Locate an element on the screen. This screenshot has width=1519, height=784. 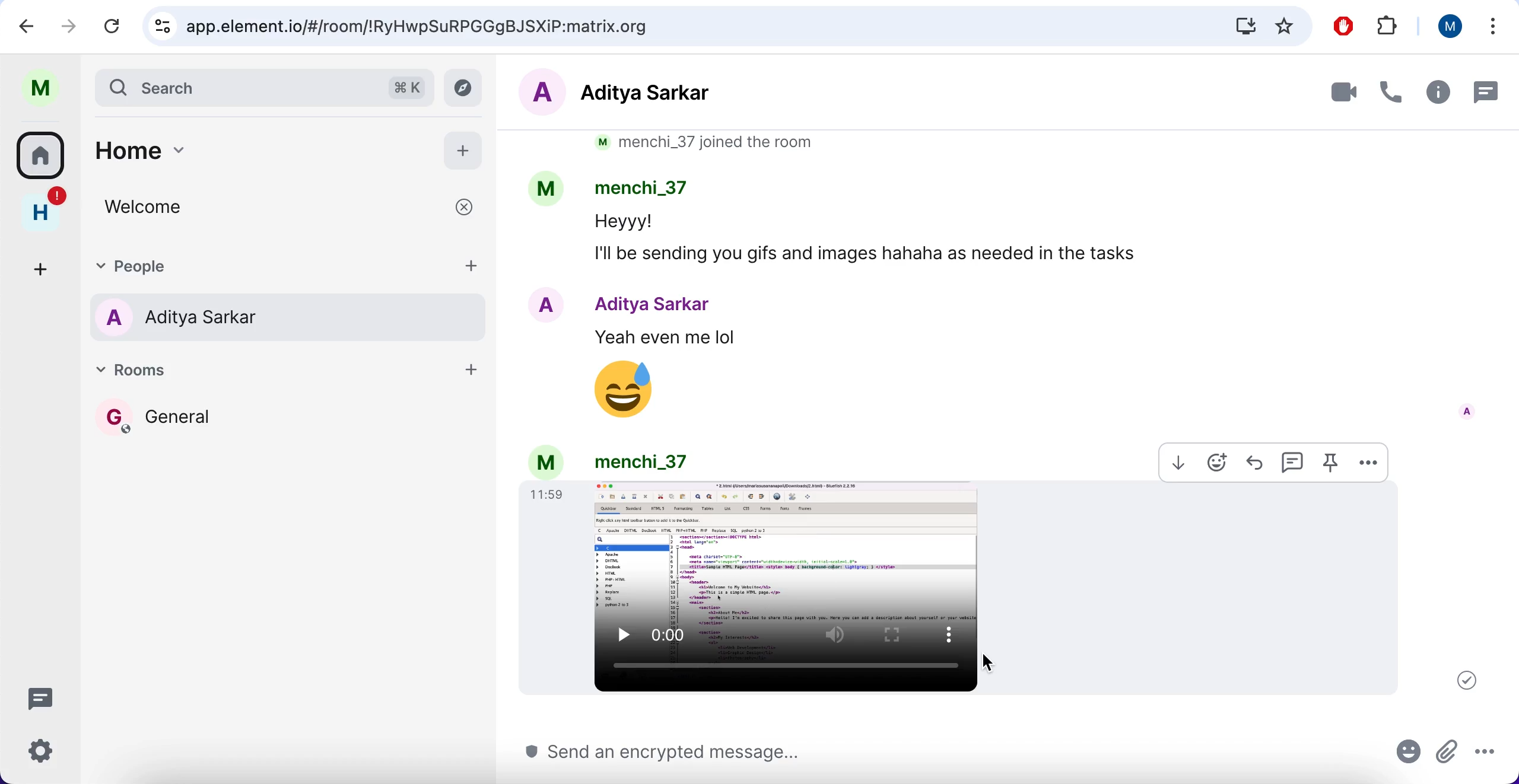
home is located at coordinates (42, 209).